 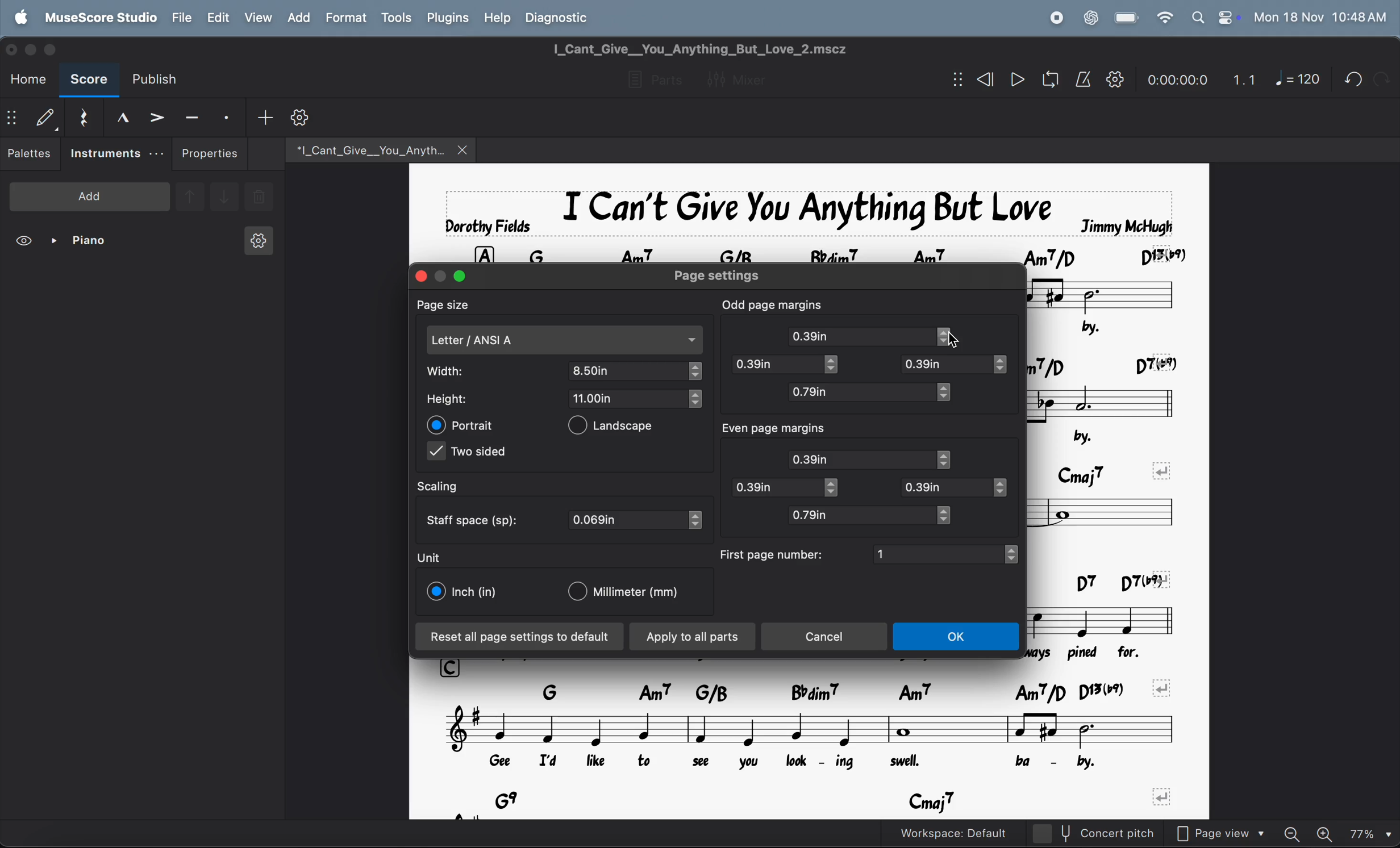 What do you see at coordinates (773, 303) in the screenshot?
I see `odd page margins` at bounding box center [773, 303].